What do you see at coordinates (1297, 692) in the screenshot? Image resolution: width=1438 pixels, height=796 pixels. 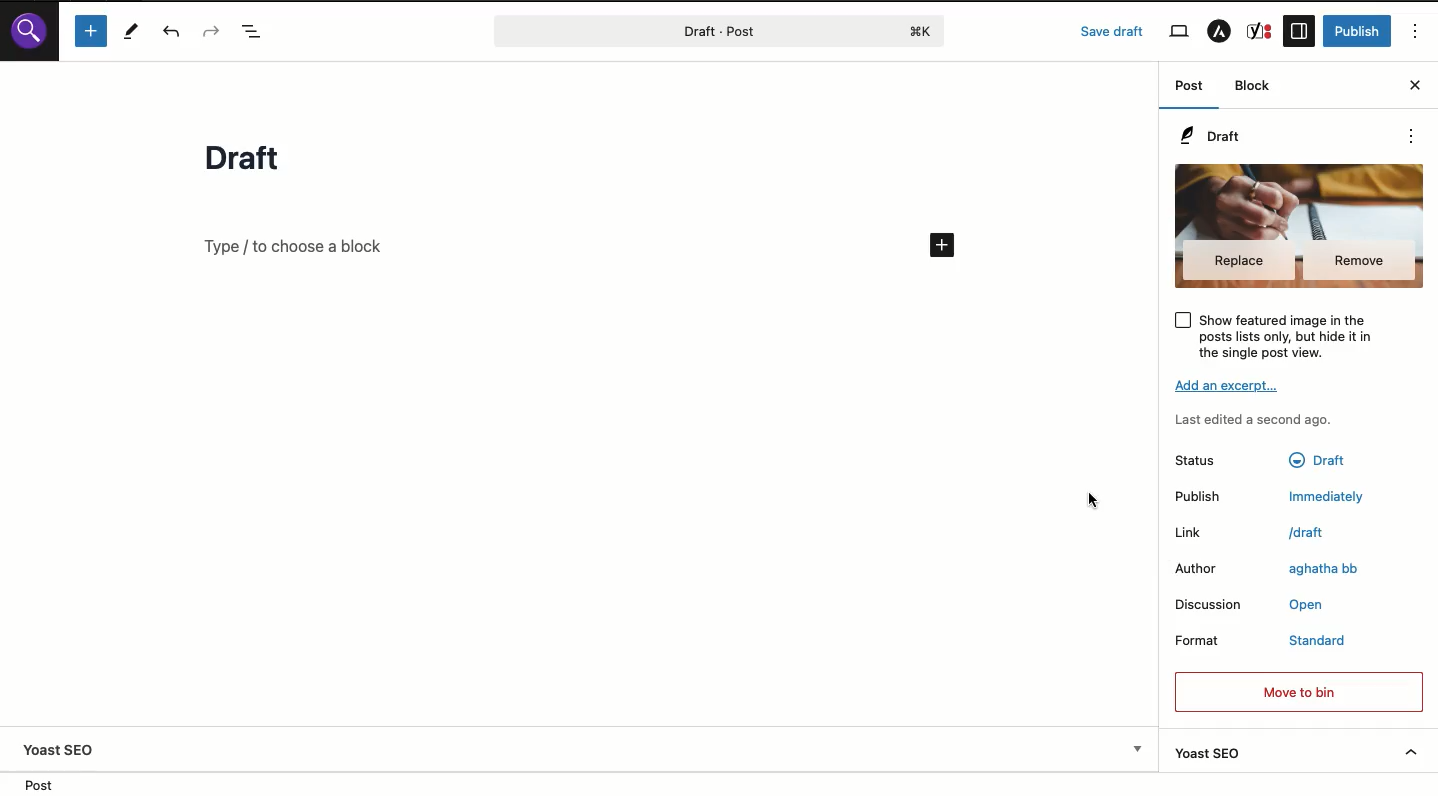 I see `Move to bin` at bounding box center [1297, 692].